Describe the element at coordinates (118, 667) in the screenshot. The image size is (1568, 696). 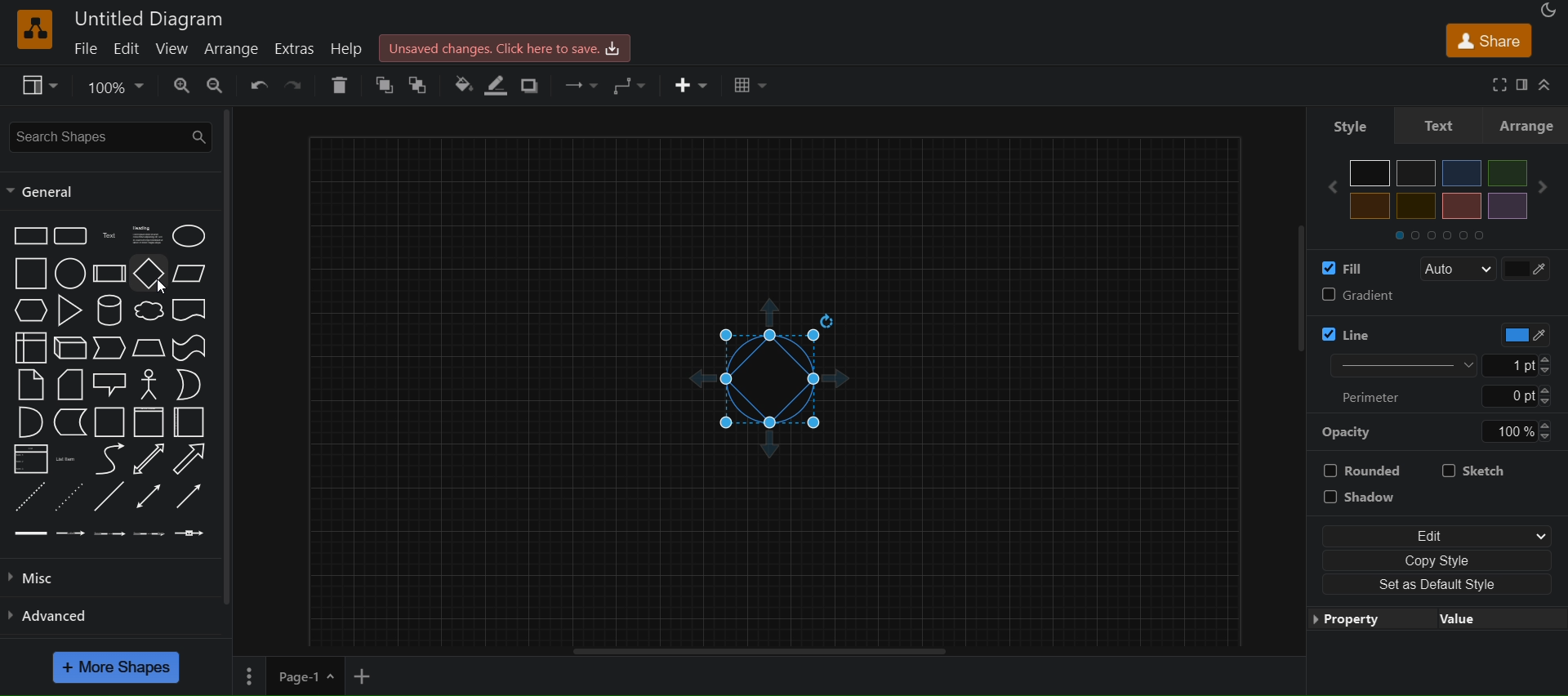
I see `more shapes` at that location.